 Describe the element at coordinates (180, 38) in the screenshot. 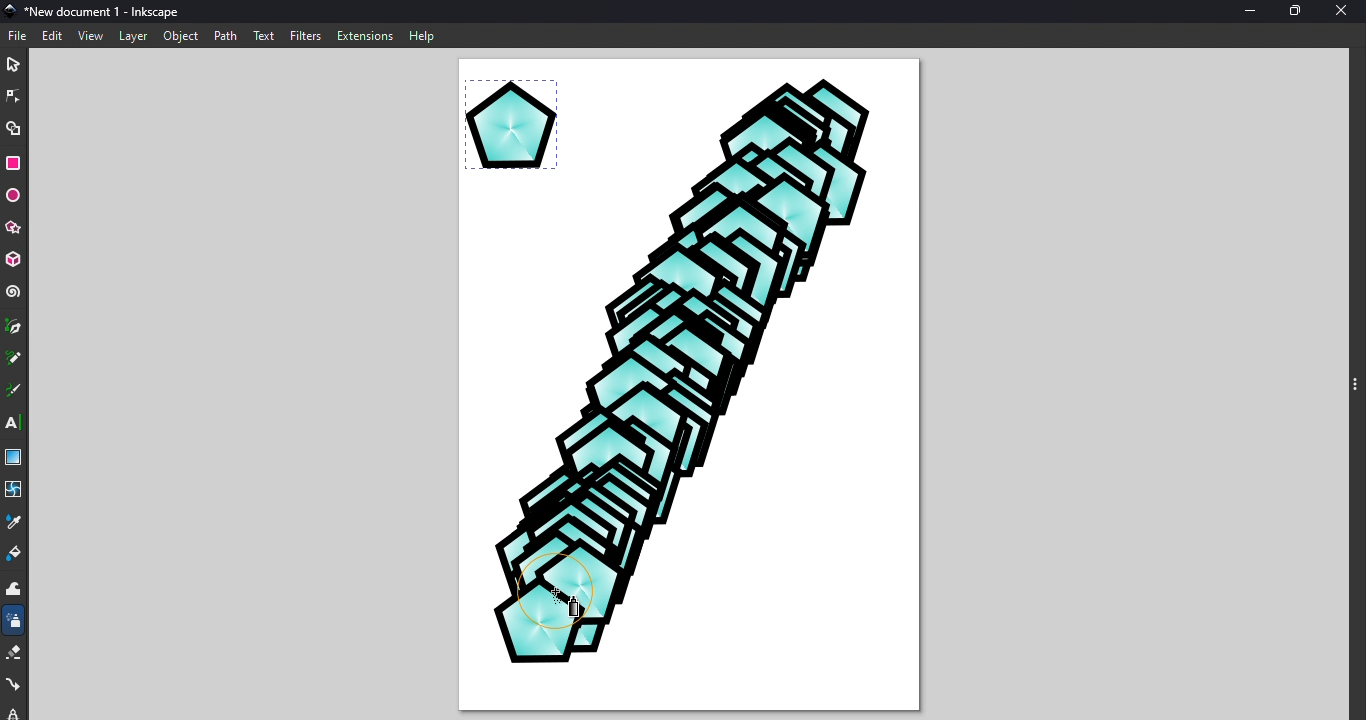

I see `Object` at that location.